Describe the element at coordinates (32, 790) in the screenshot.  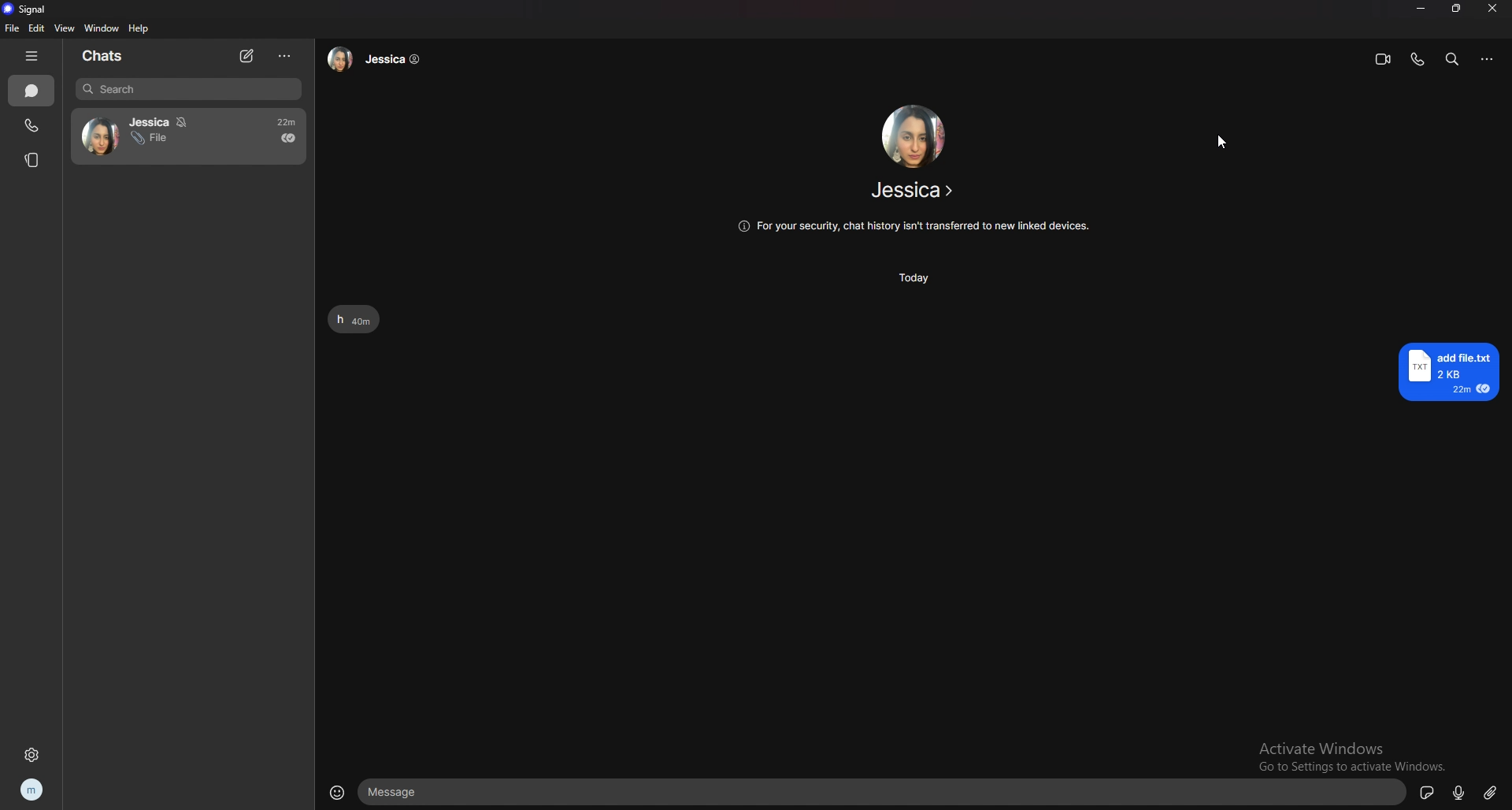
I see `profile` at that location.